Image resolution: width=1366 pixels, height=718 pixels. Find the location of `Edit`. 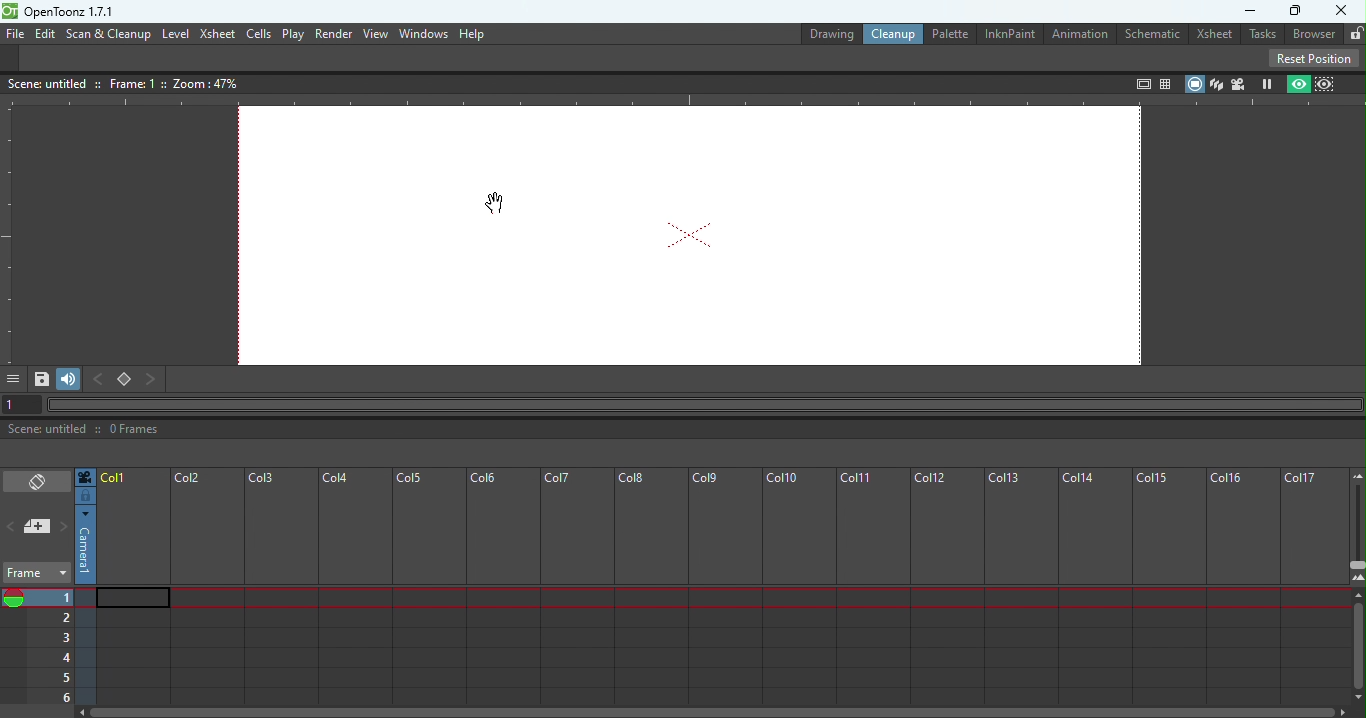

Edit is located at coordinates (44, 33).